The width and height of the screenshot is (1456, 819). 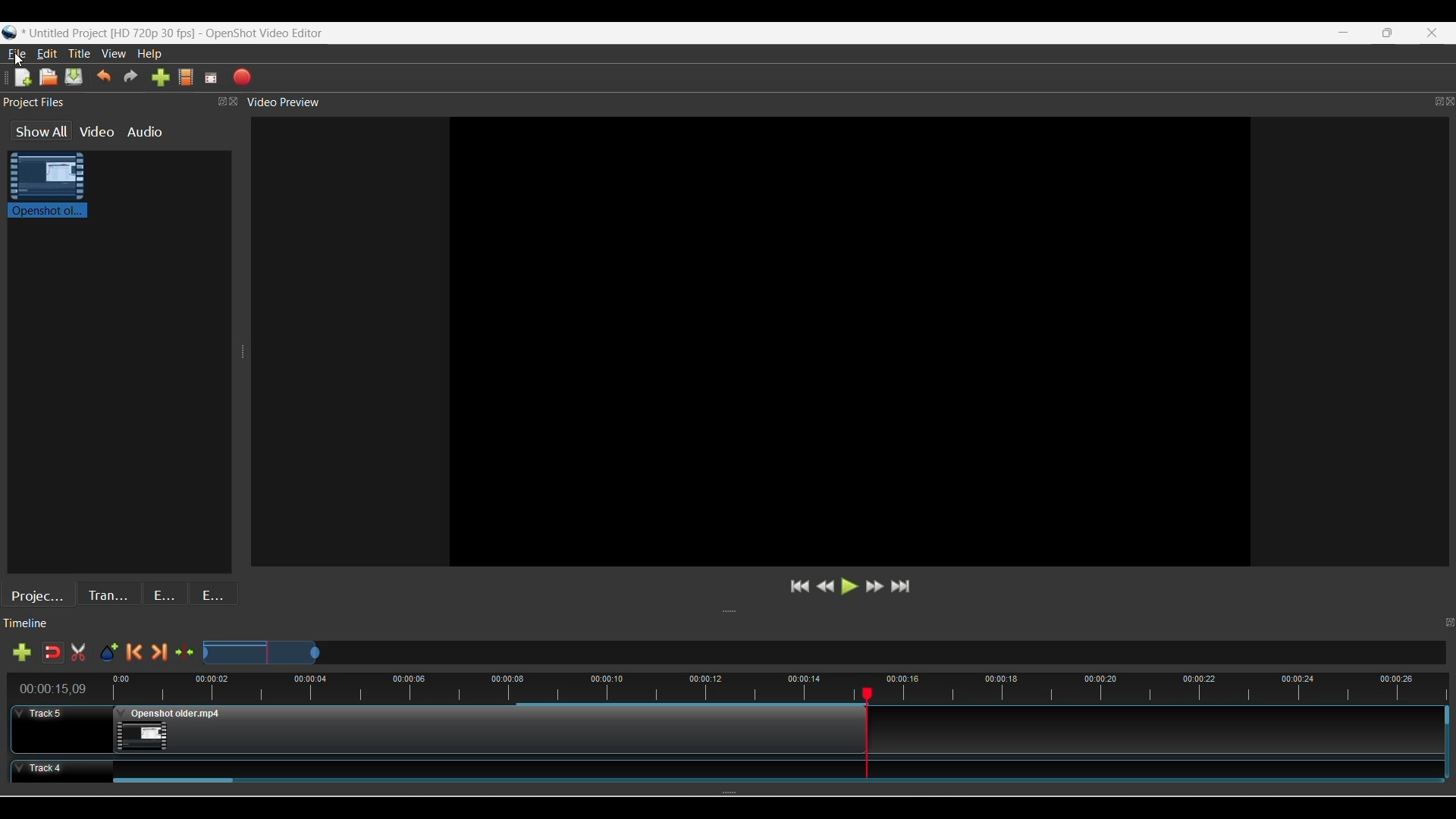 I want to click on Center the timeline on the playhead, so click(x=184, y=652).